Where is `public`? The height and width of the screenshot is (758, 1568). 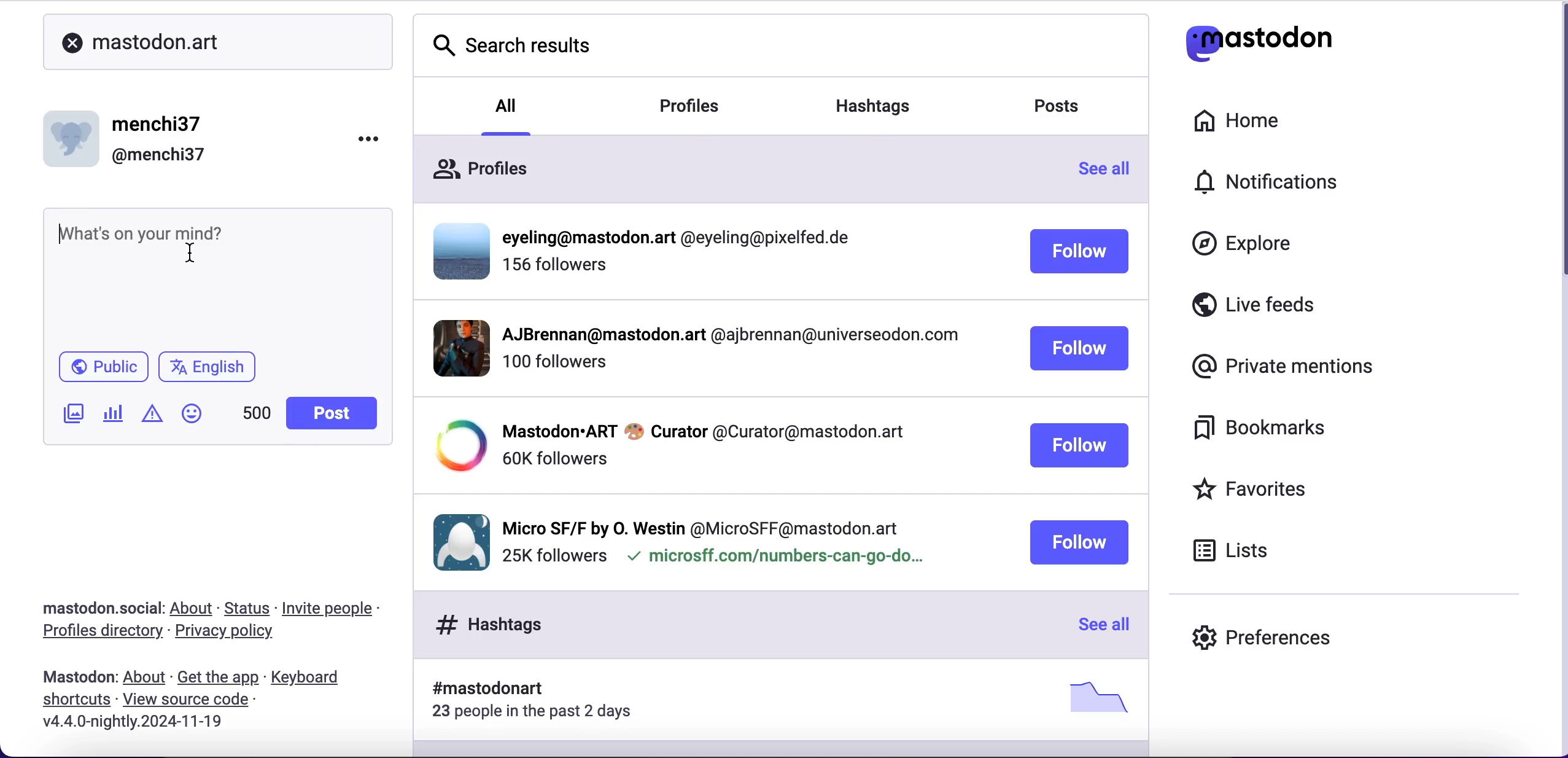 public is located at coordinates (103, 369).